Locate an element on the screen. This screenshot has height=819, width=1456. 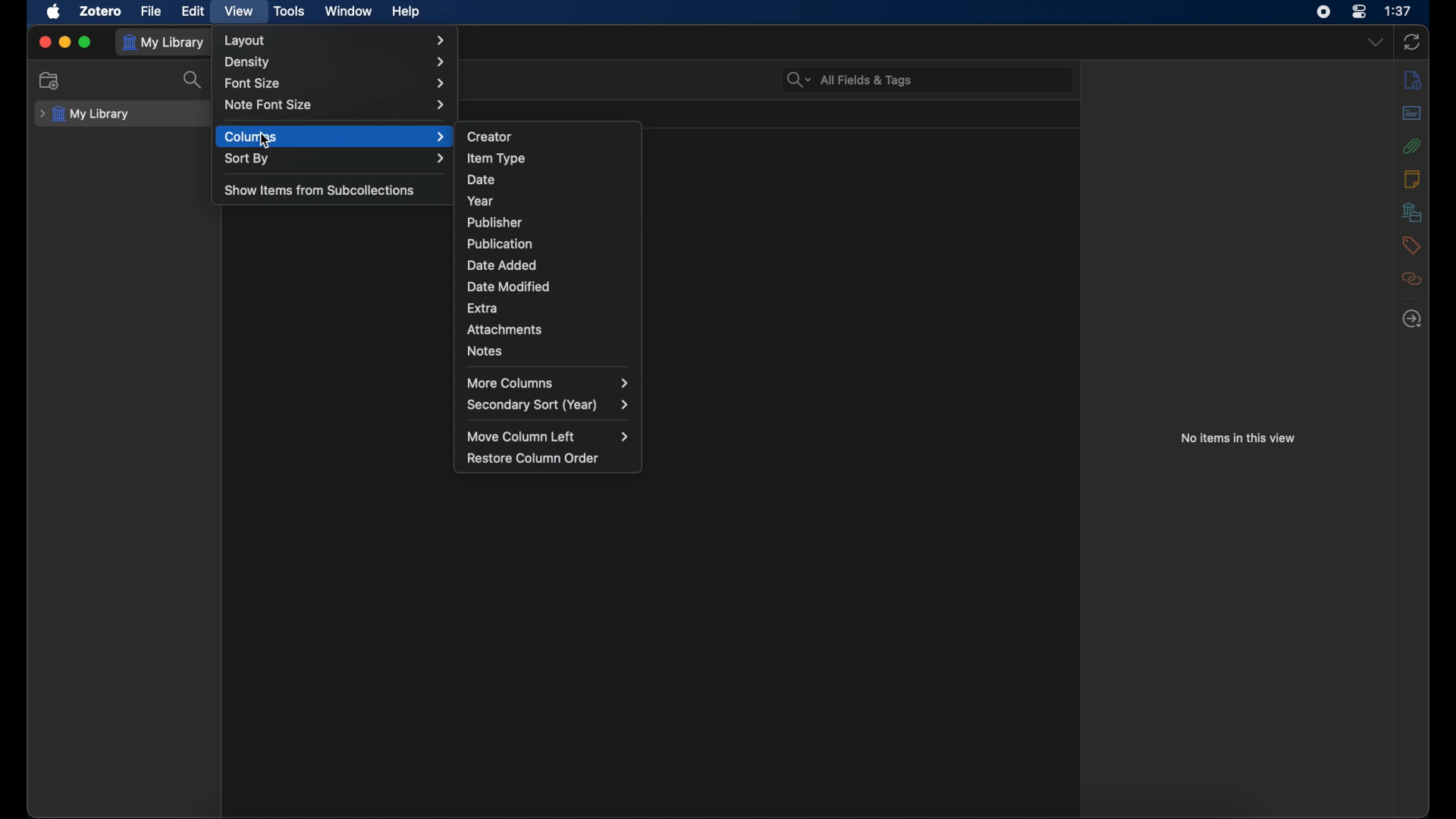
dropdown is located at coordinates (1374, 42).